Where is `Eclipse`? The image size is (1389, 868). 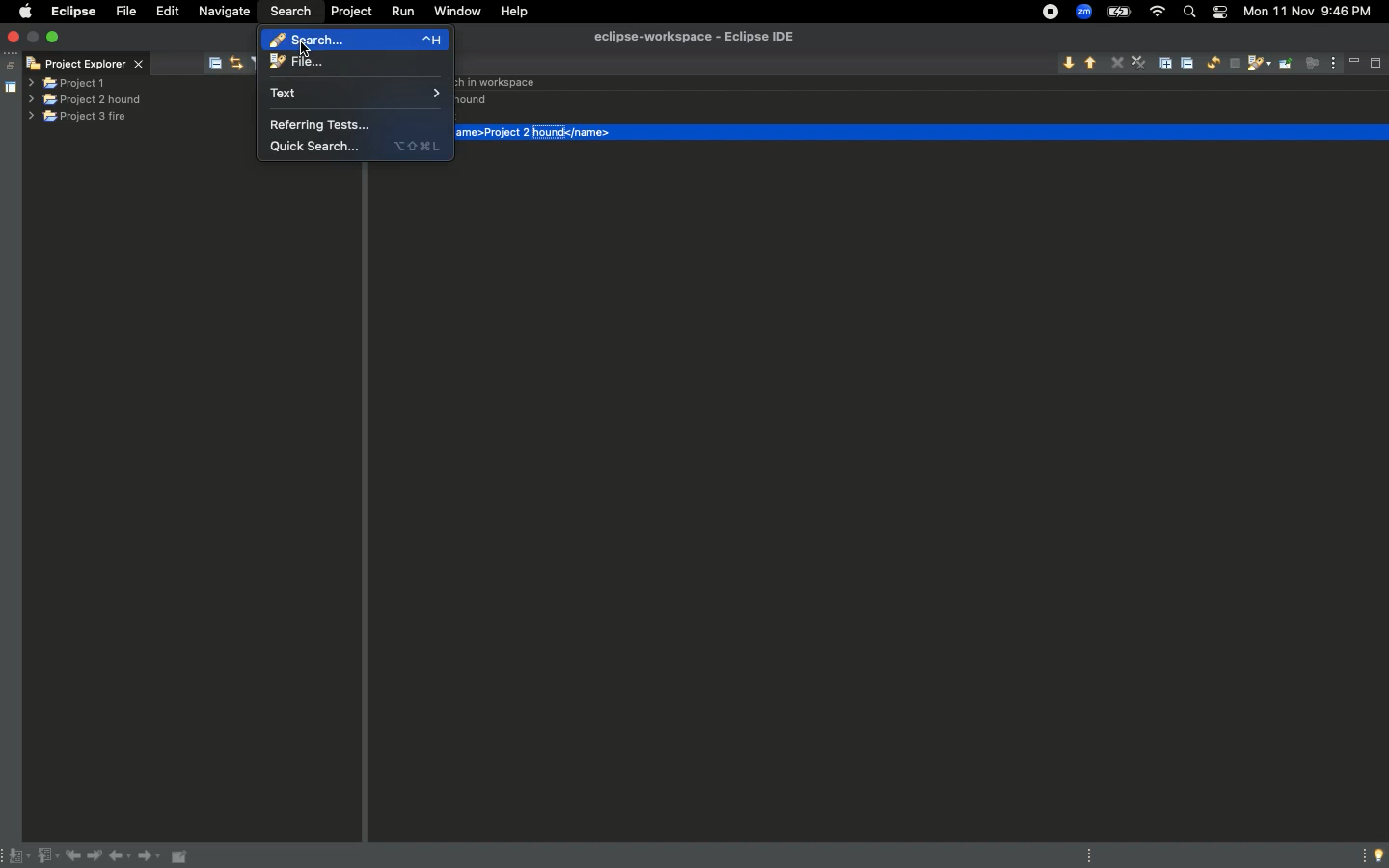
Eclipse is located at coordinates (72, 11).